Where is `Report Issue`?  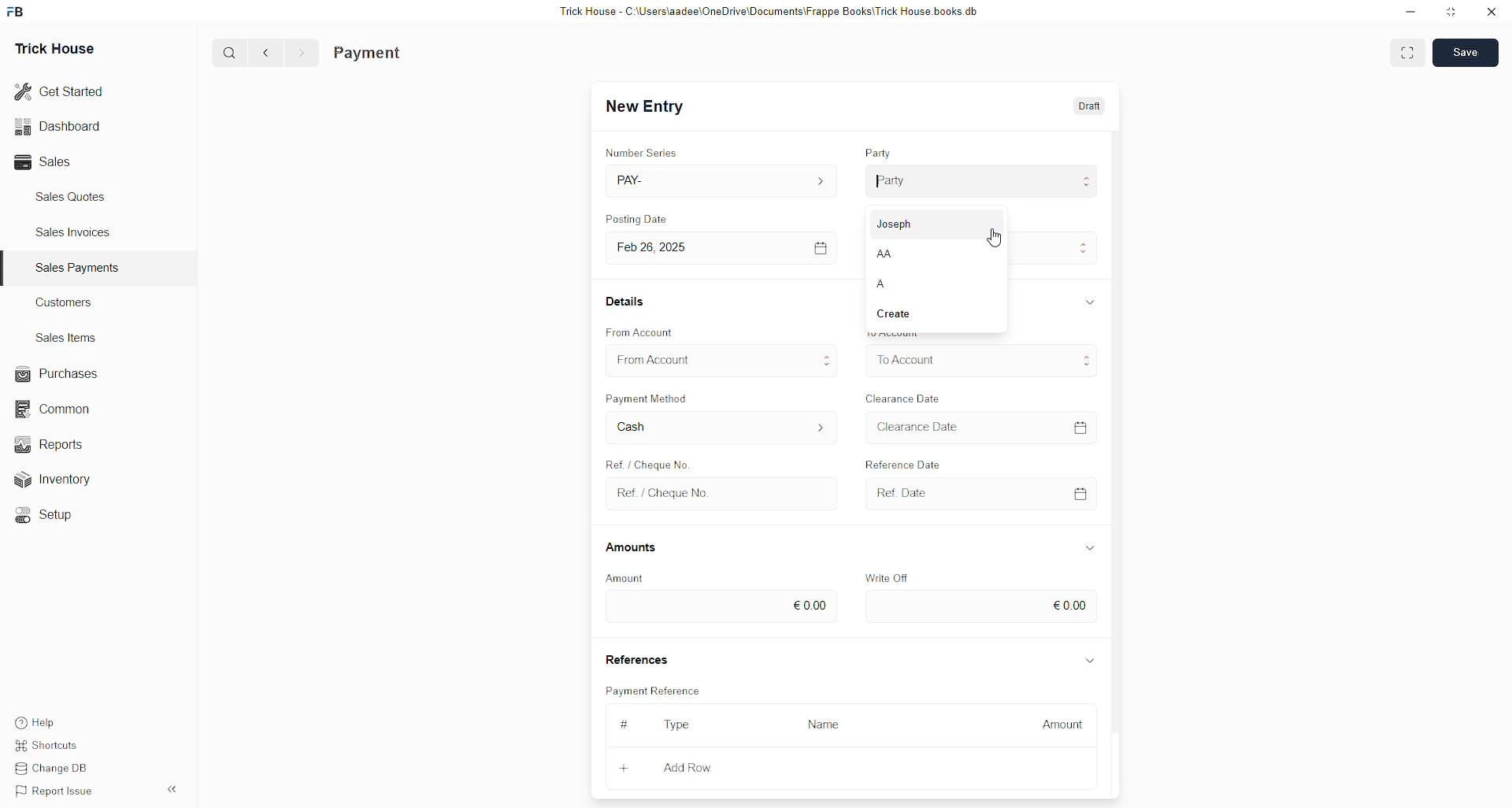 Report Issue is located at coordinates (57, 791).